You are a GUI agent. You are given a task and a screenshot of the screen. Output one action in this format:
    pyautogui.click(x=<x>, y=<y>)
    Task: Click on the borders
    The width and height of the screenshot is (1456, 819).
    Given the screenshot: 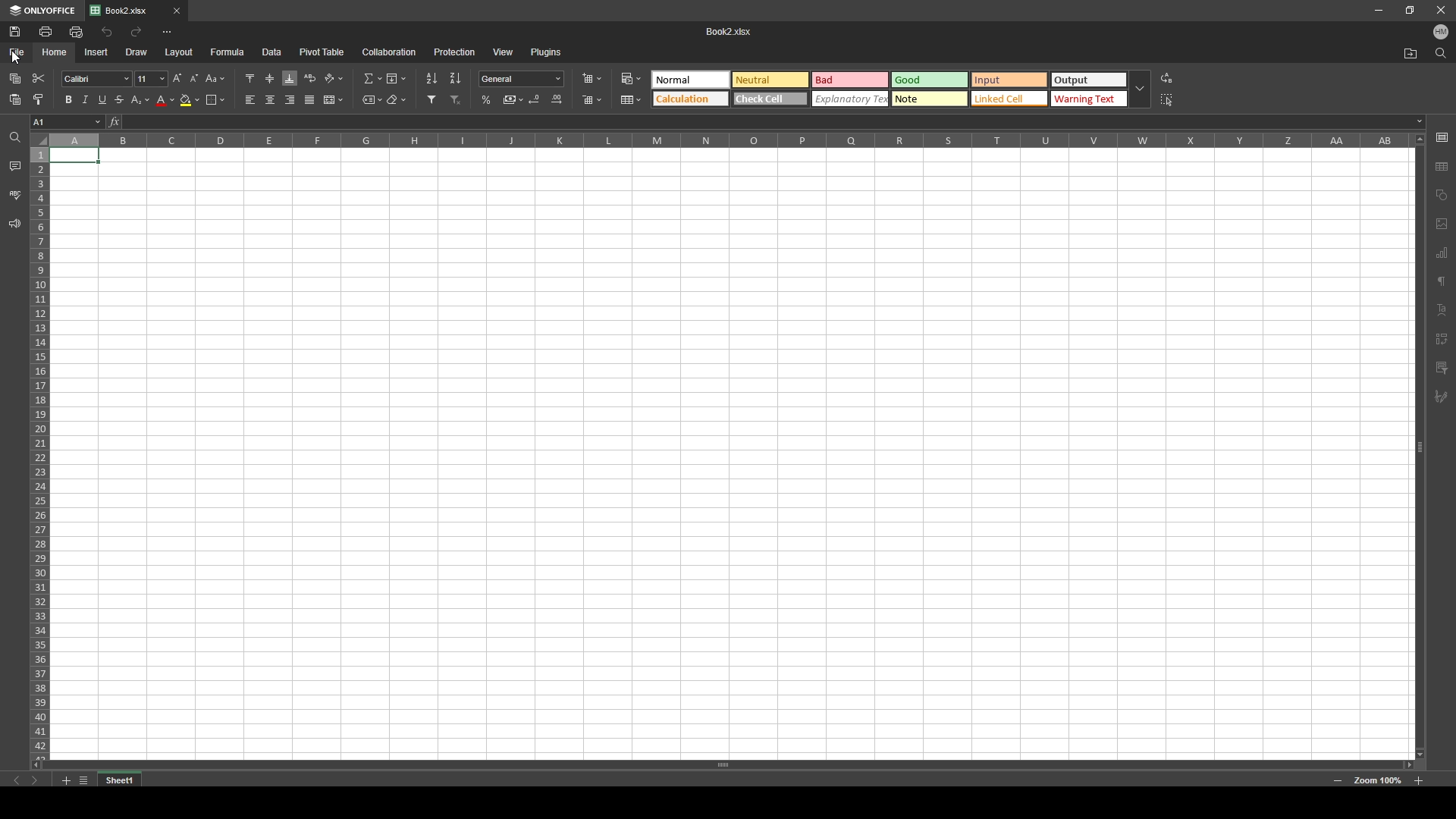 What is the action you would take?
    pyautogui.click(x=215, y=100)
    